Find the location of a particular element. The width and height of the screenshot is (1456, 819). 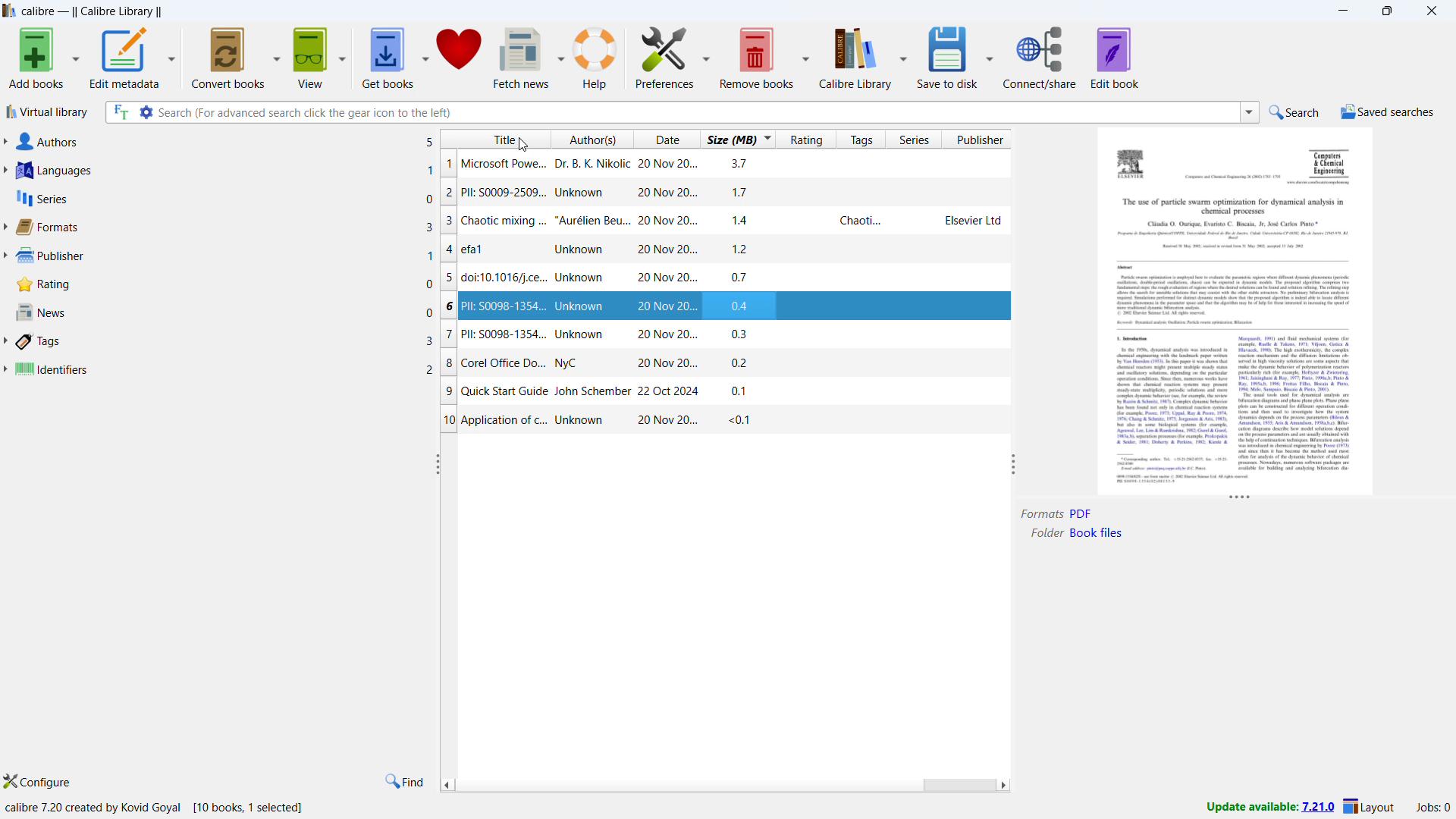

convert books options is located at coordinates (275, 58).